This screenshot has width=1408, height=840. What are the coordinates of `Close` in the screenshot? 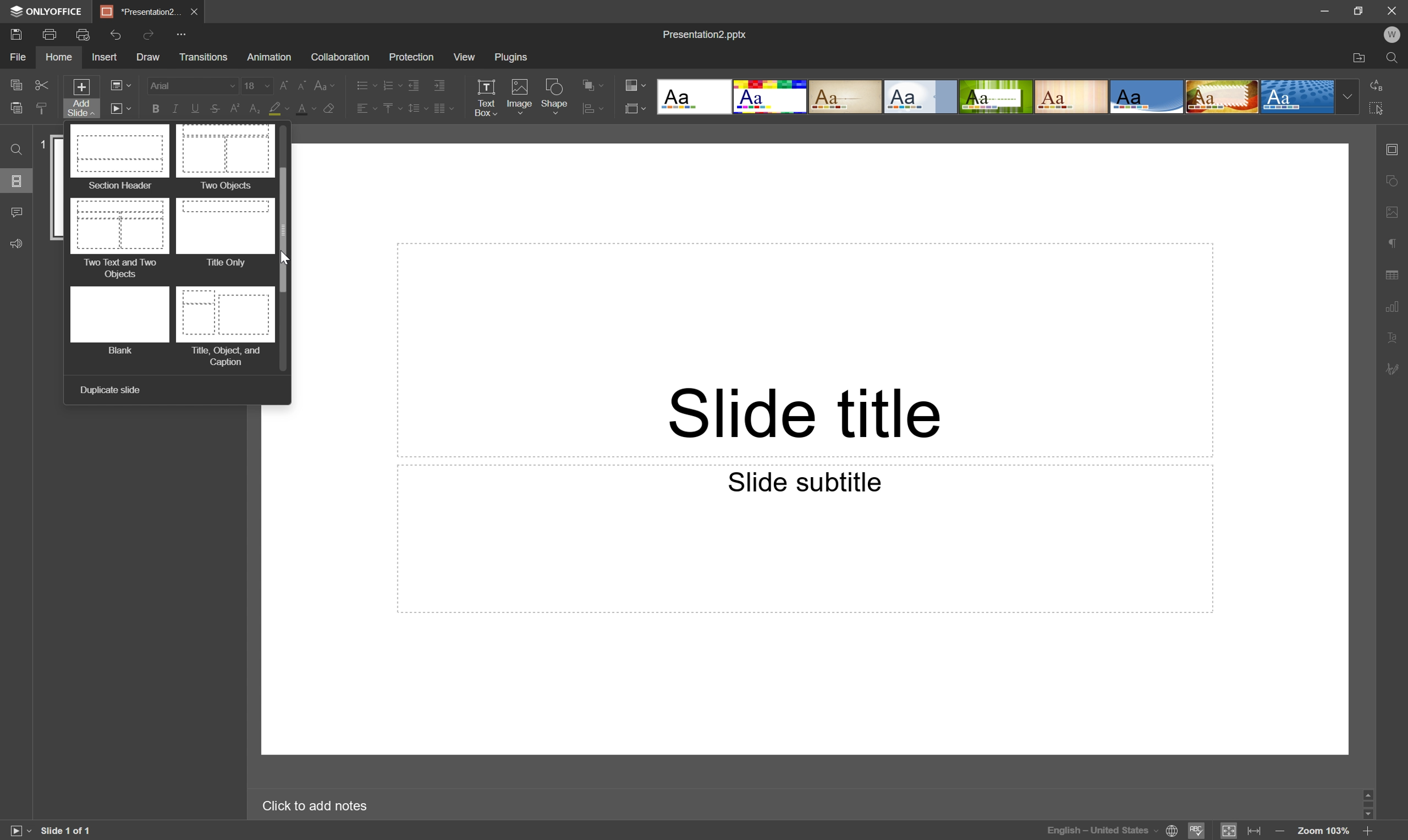 It's located at (193, 10).